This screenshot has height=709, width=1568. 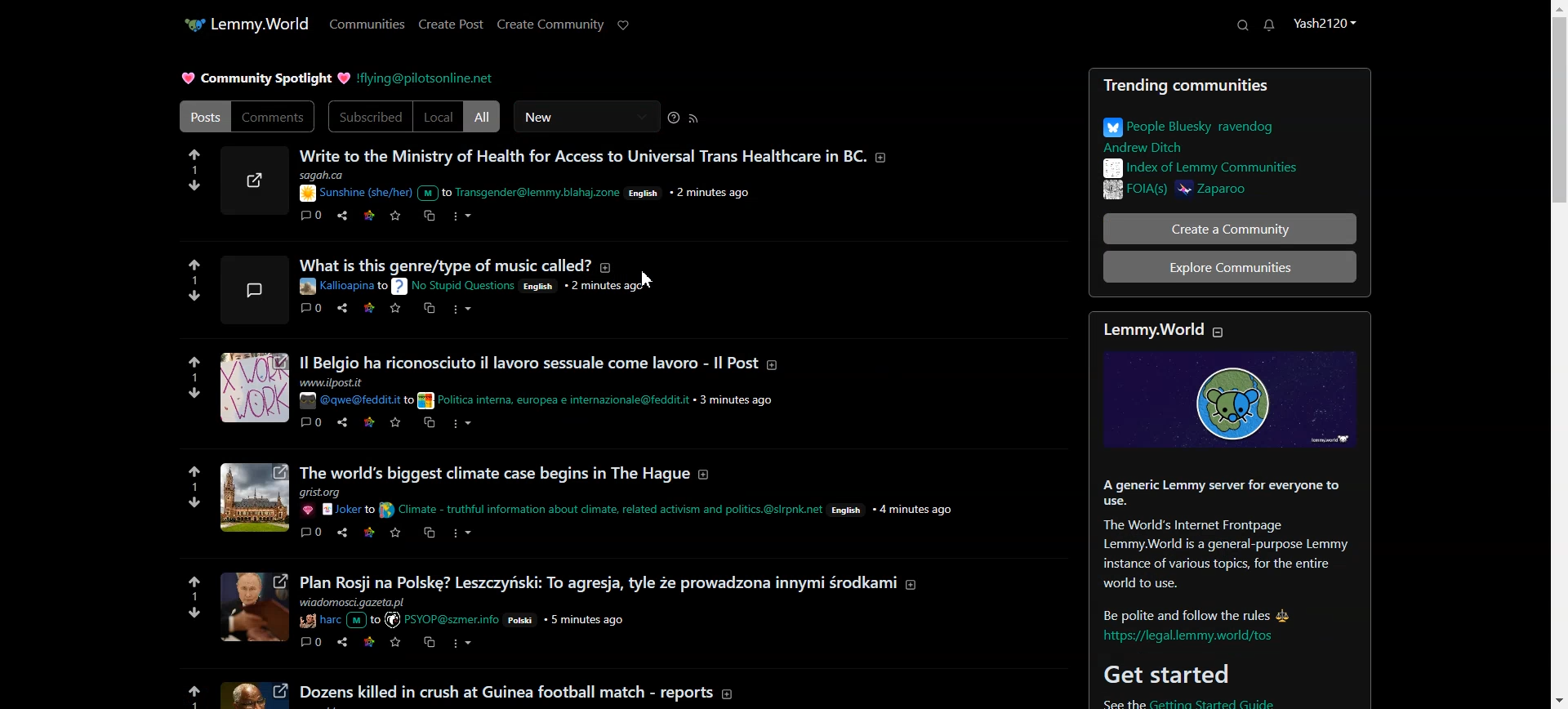 I want to click on hyperlink, so click(x=1193, y=637).